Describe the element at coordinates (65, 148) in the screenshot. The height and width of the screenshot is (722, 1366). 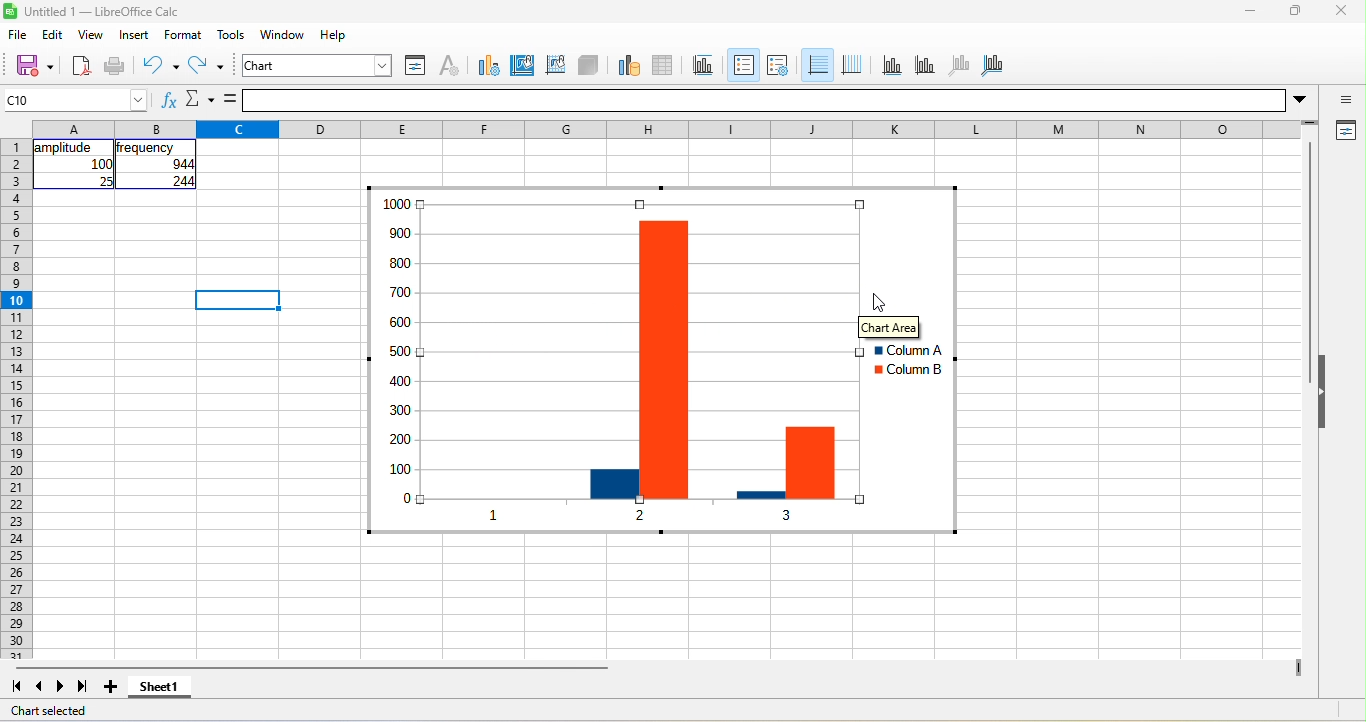
I see `amplitude ` at that location.